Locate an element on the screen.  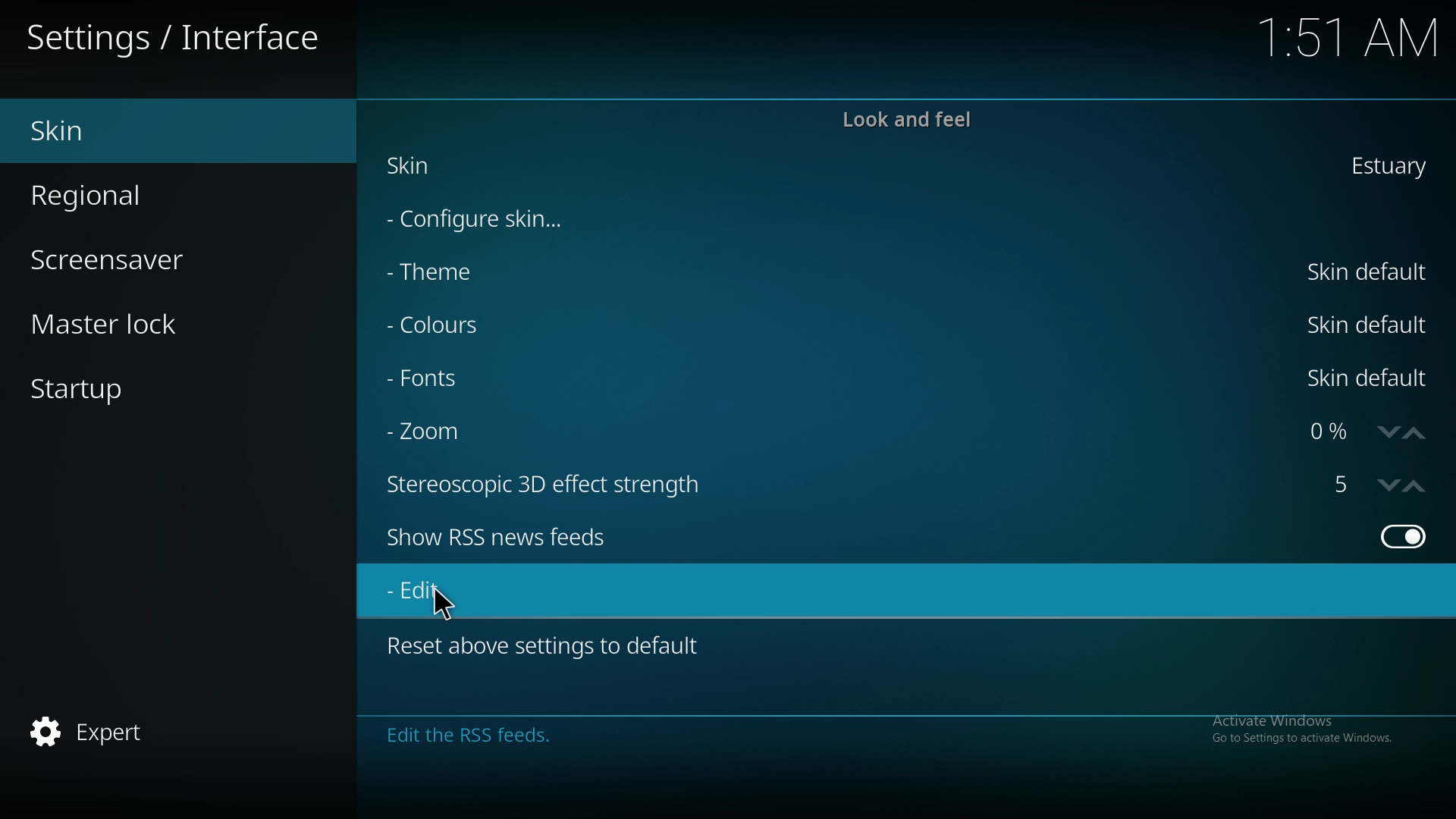
configure skin is located at coordinates (487, 217).